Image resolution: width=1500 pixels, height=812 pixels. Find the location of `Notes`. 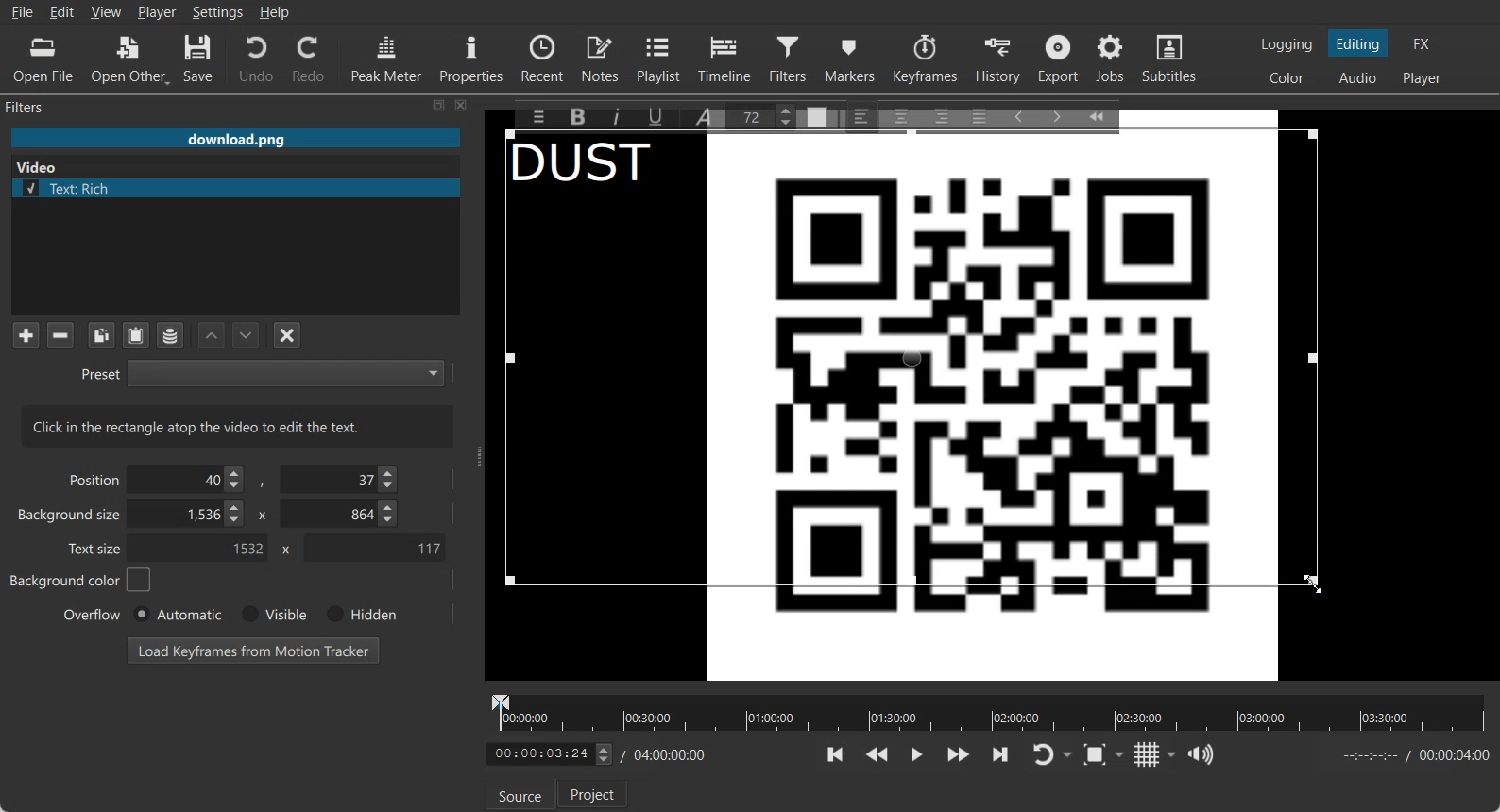

Notes is located at coordinates (602, 58).